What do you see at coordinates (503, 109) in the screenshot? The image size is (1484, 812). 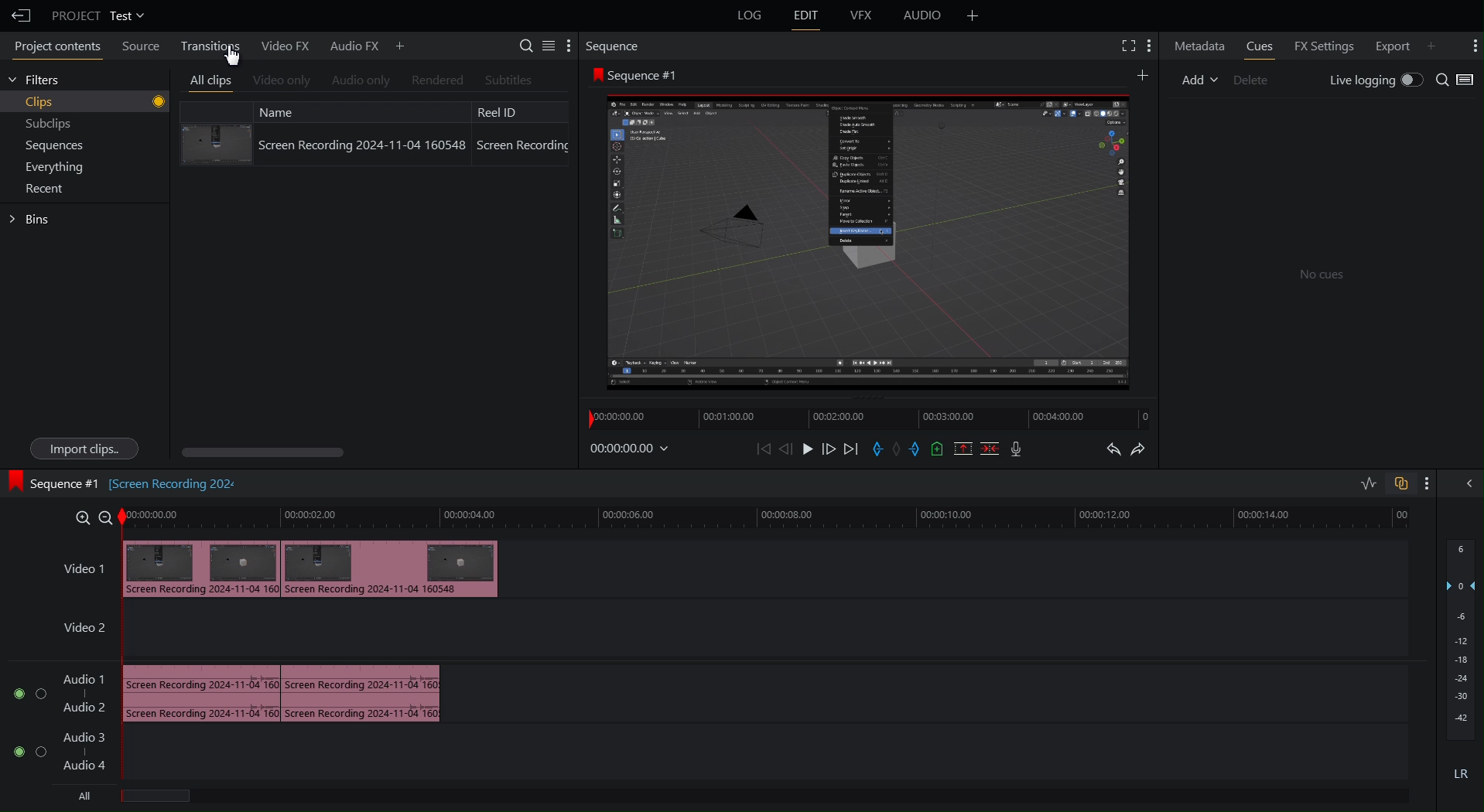 I see `Reel ID` at bounding box center [503, 109].